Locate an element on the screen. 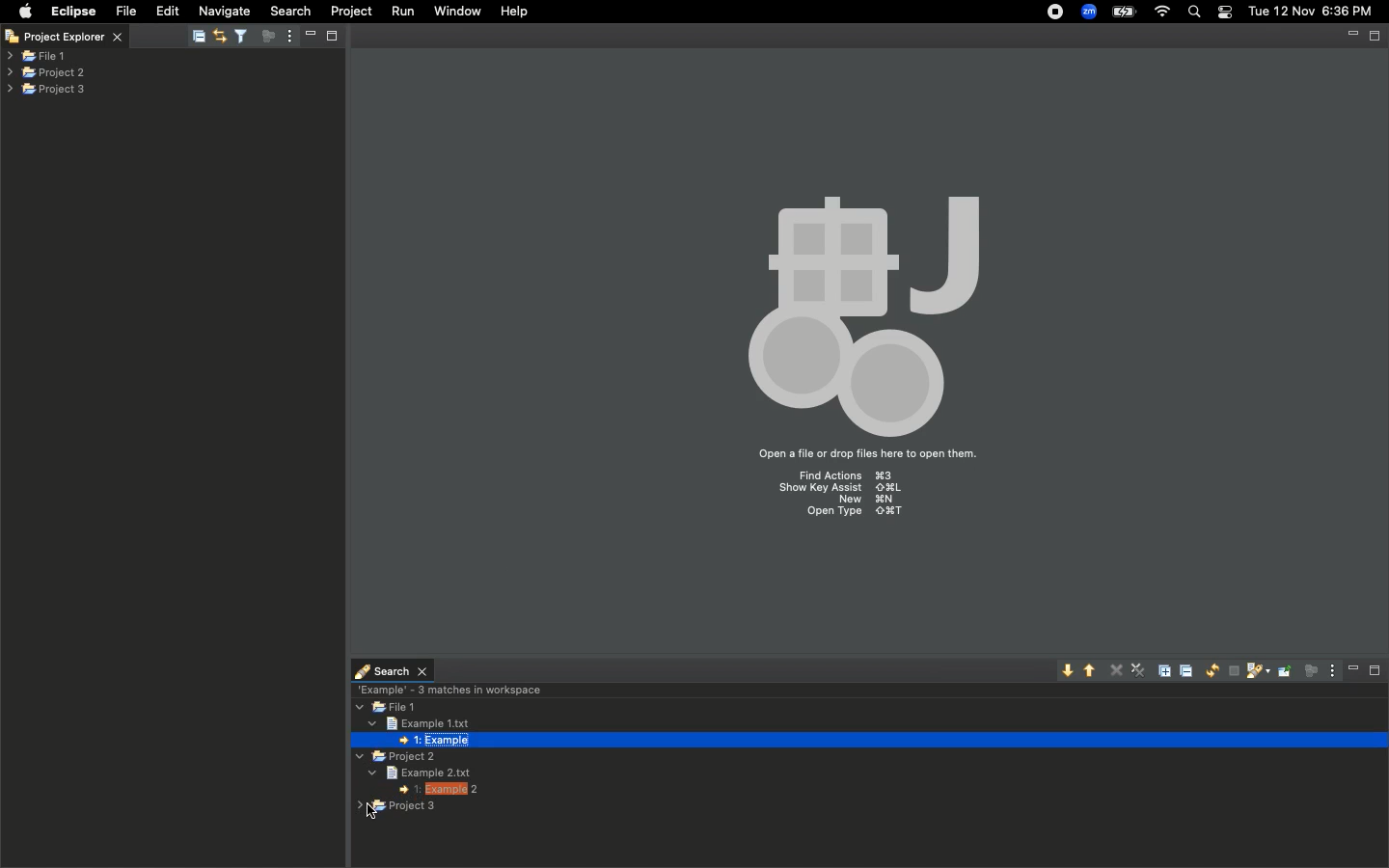 Image resolution: width=1389 pixels, height=868 pixels. Shortcuts is located at coordinates (845, 498).